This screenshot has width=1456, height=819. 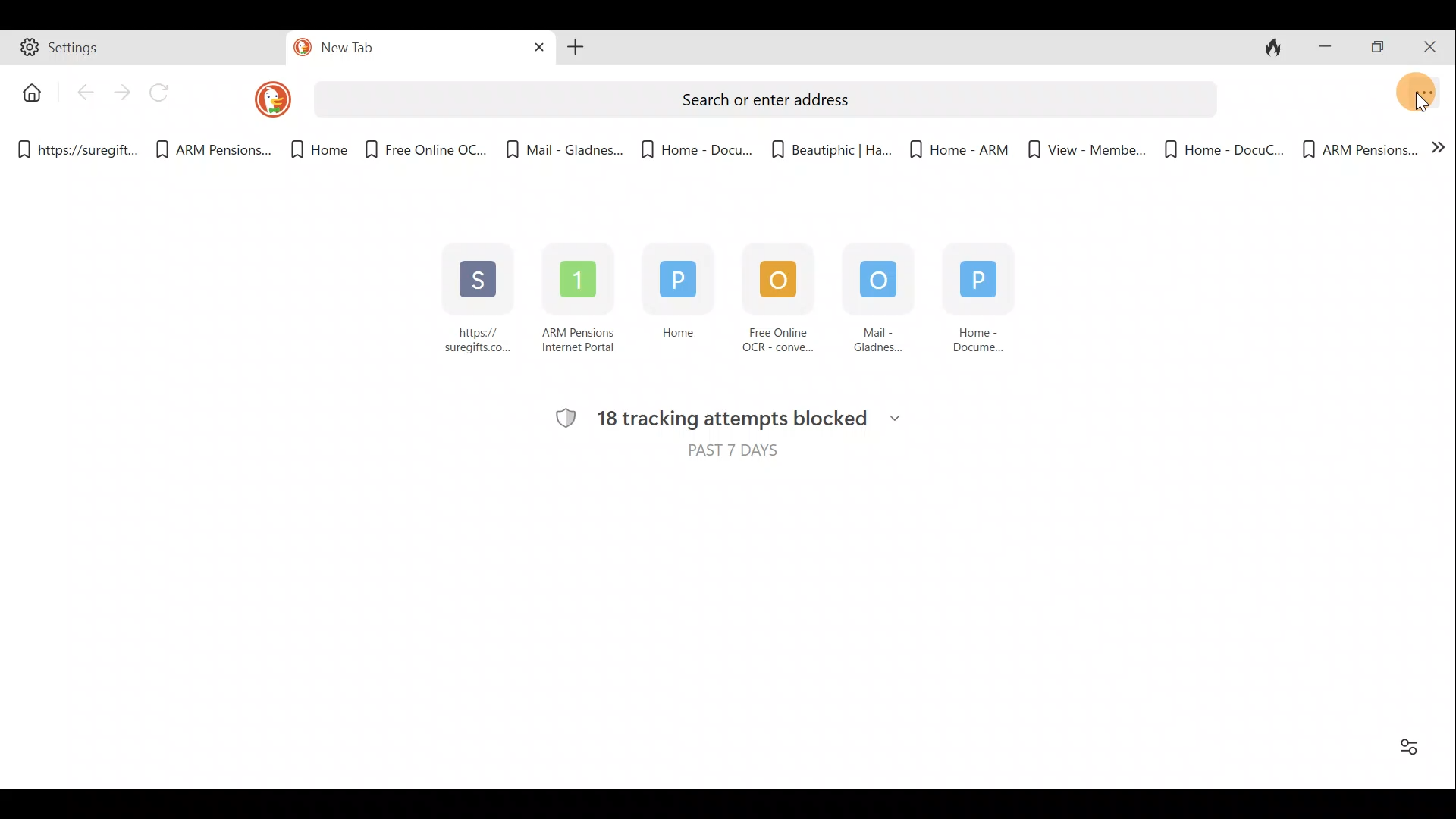 What do you see at coordinates (166, 93) in the screenshot?
I see `Reload` at bounding box center [166, 93].